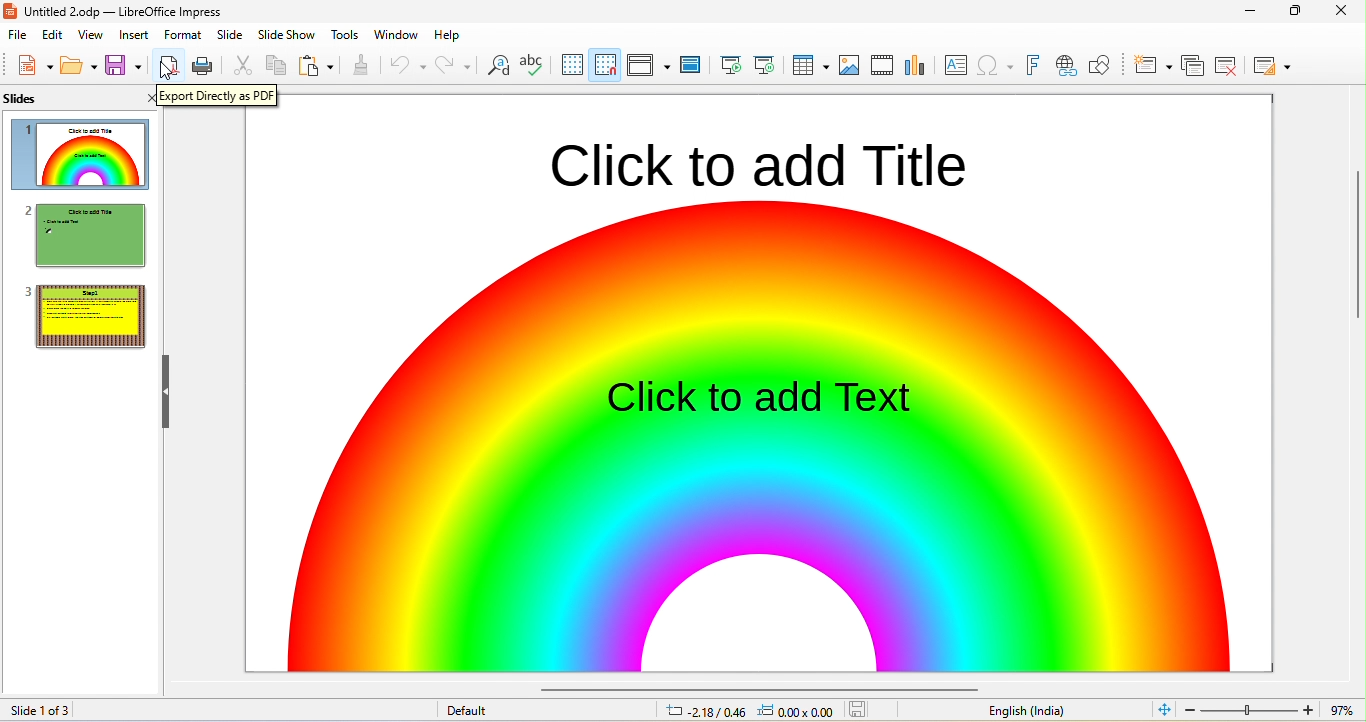 The height and width of the screenshot is (722, 1366). I want to click on fontwork text, so click(1031, 63).